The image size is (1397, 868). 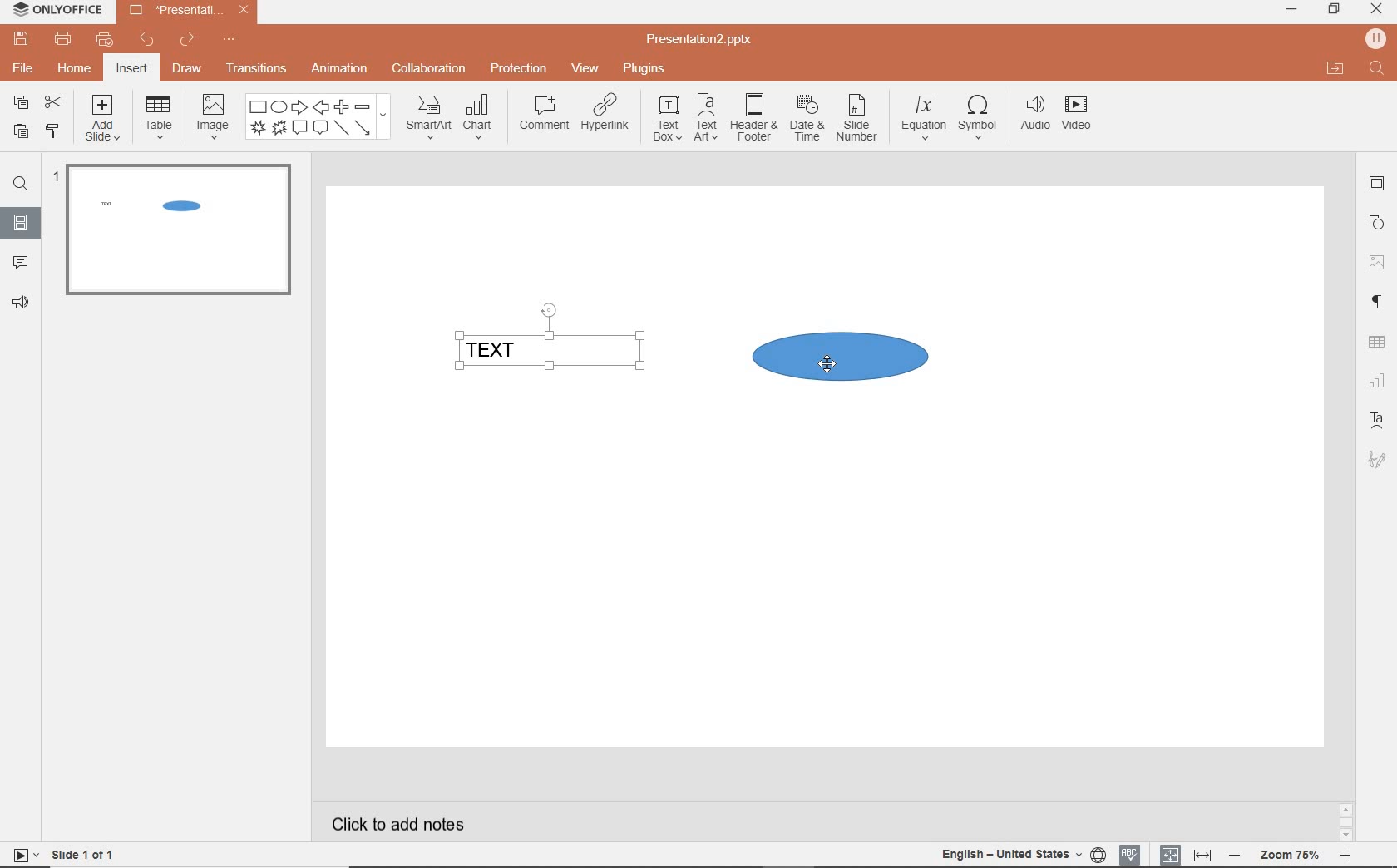 What do you see at coordinates (1377, 185) in the screenshot?
I see `SLIDE SETTINGS` at bounding box center [1377, 185].